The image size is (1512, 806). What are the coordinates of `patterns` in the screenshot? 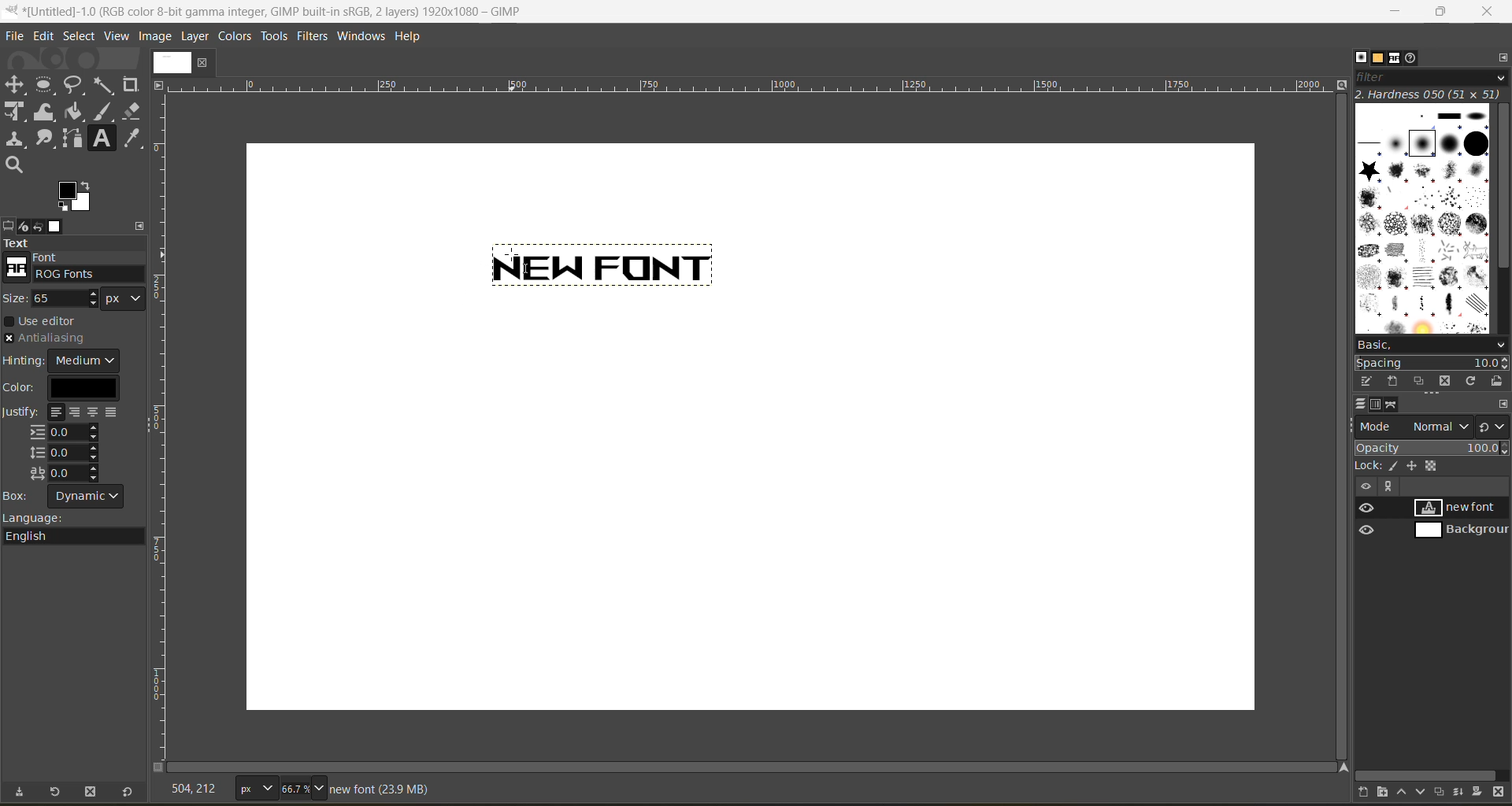 It's located at (1378, 57).